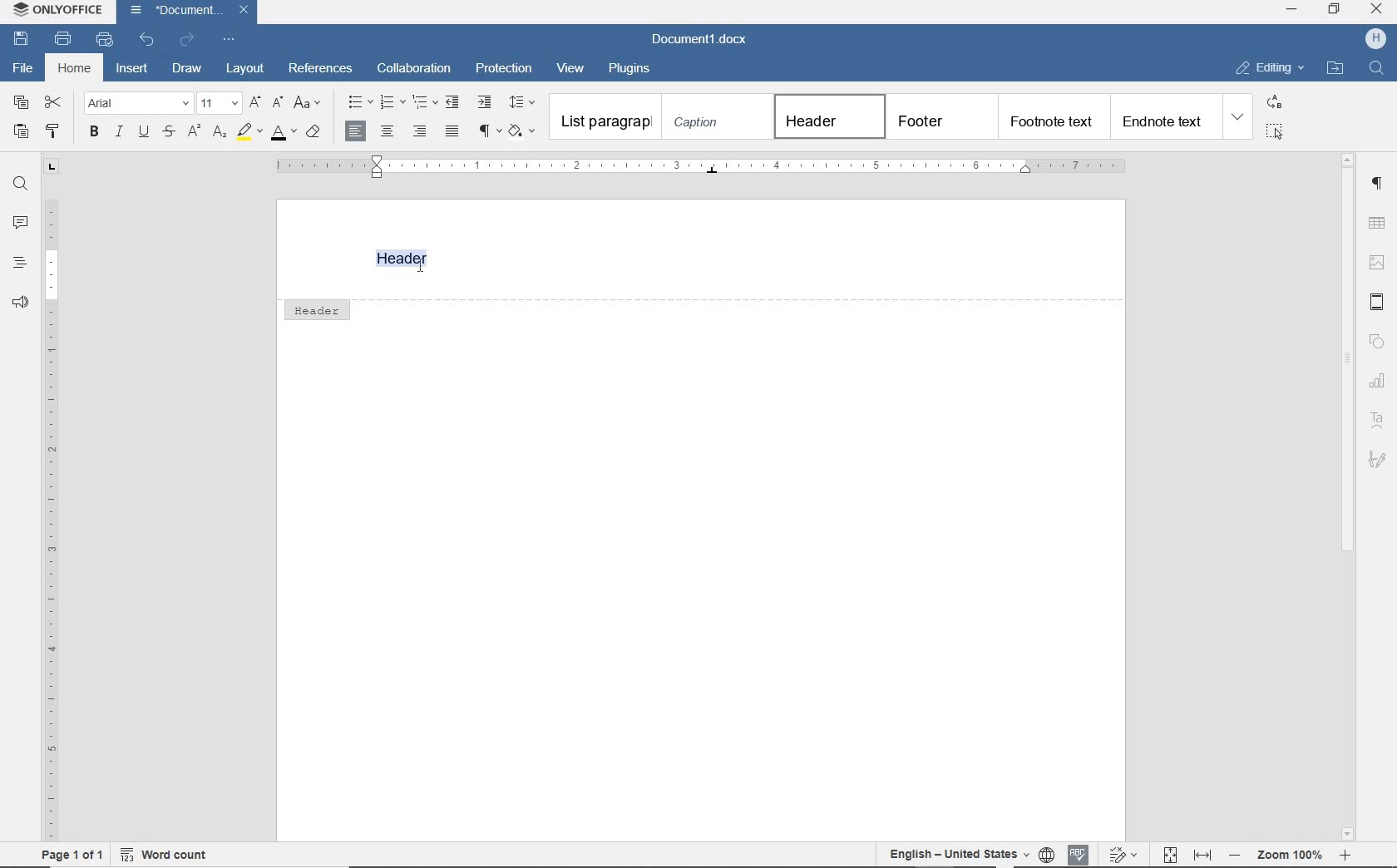  I want to click on change case, so click(309, 104).